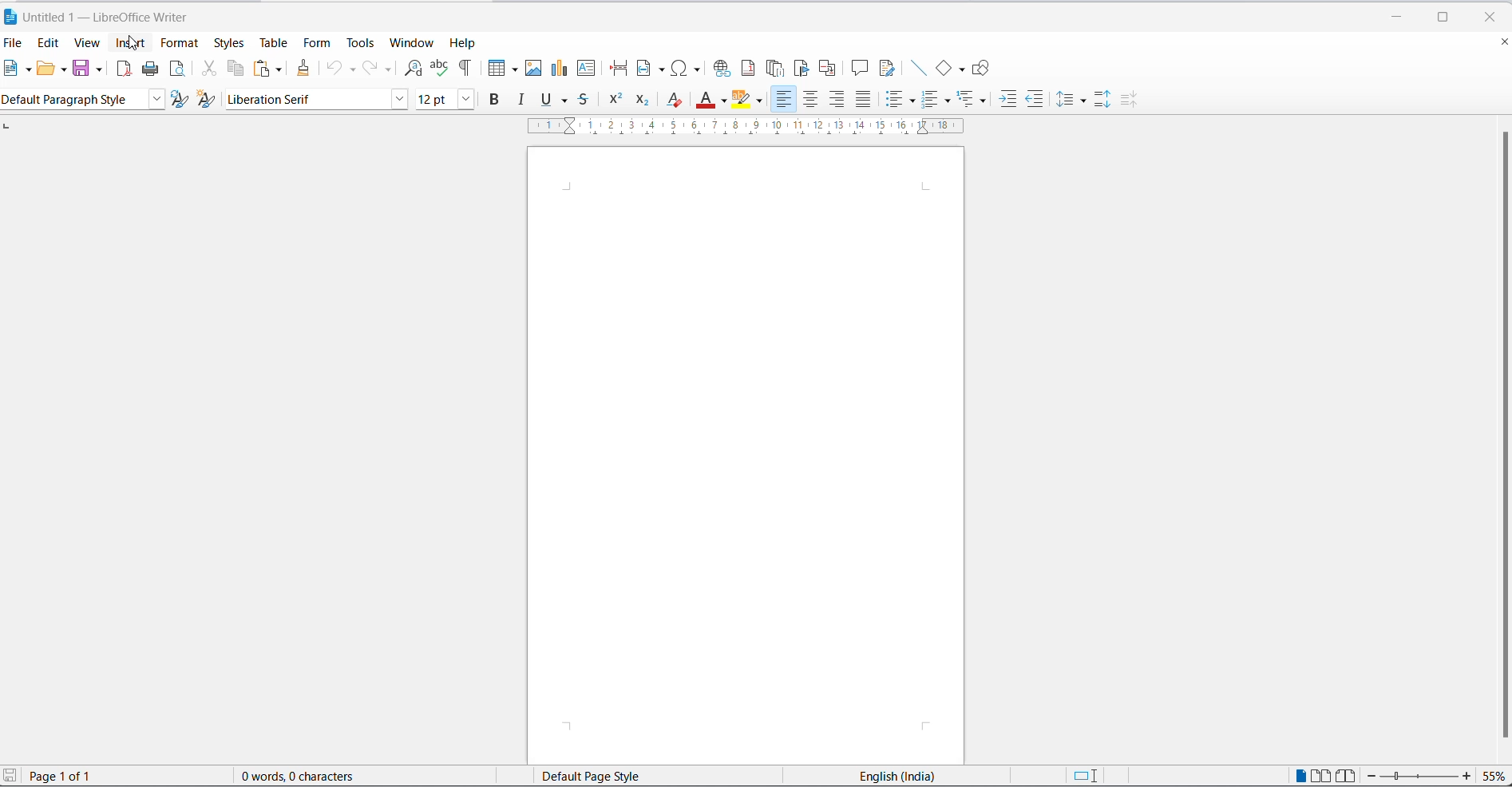 The width and height of the screenshot is (1512, 787). Describe the element at coordinates (745, 453) in the screenshot. I see `page` at that location.